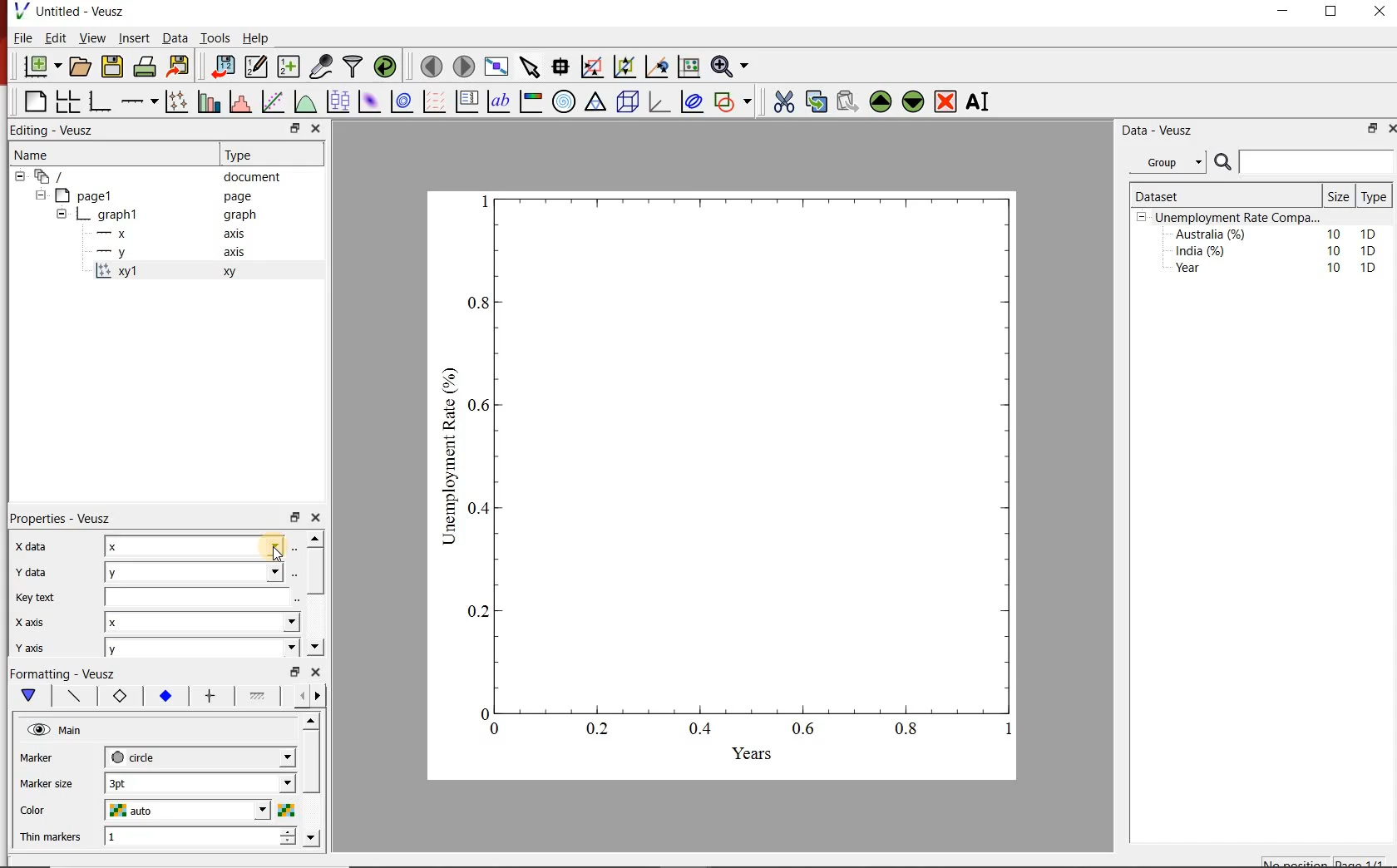  Describe the element at coordinates (216, 37) in the screenshot. I see `Tools` at that location.